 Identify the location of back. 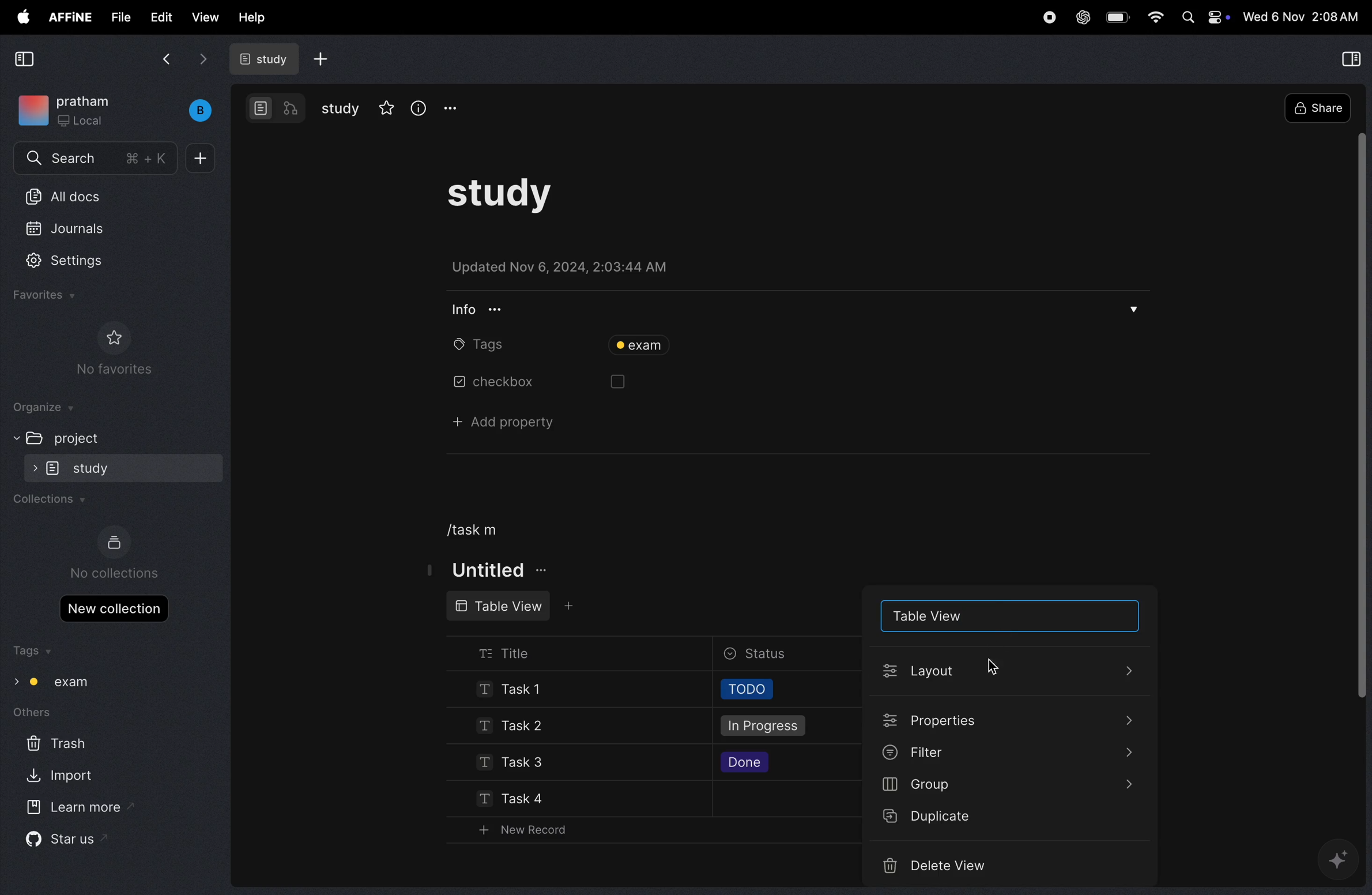
(164, 61).